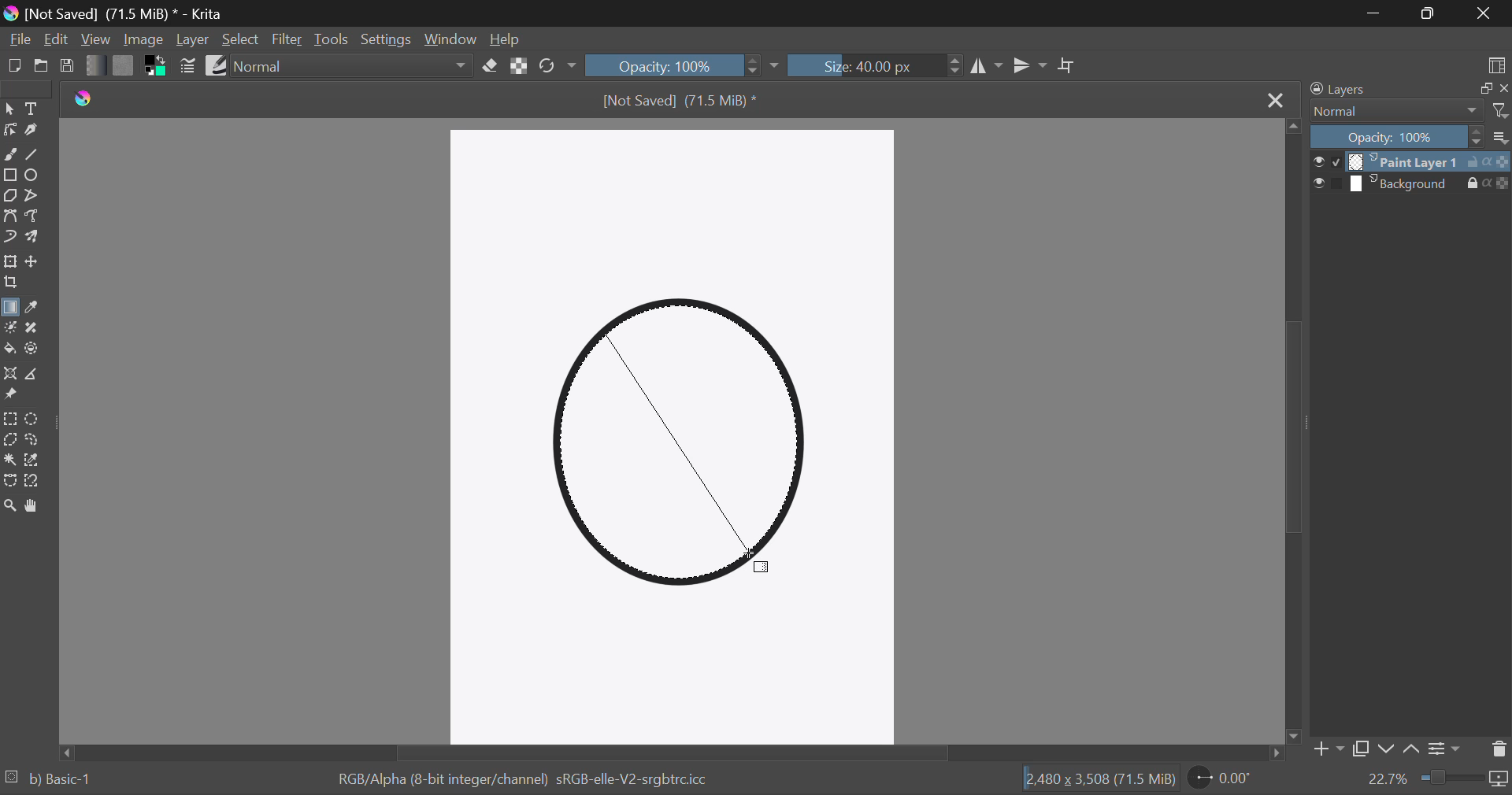  What do you see at coordinates (1488, 14) in the screenshot?
I see `Close` at bounding box center [1488, 14].